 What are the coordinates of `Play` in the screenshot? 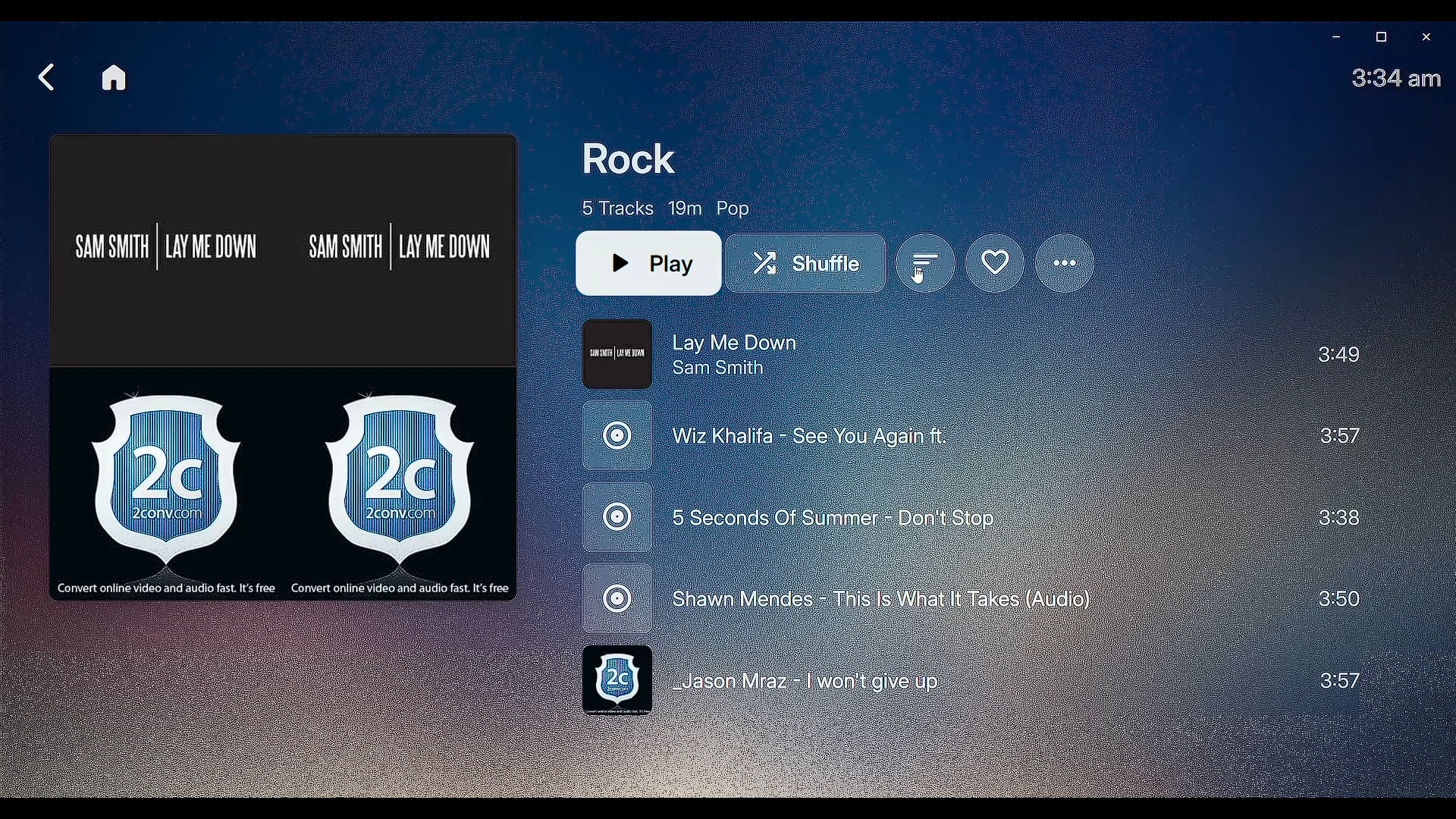 It's located at (648, 264).